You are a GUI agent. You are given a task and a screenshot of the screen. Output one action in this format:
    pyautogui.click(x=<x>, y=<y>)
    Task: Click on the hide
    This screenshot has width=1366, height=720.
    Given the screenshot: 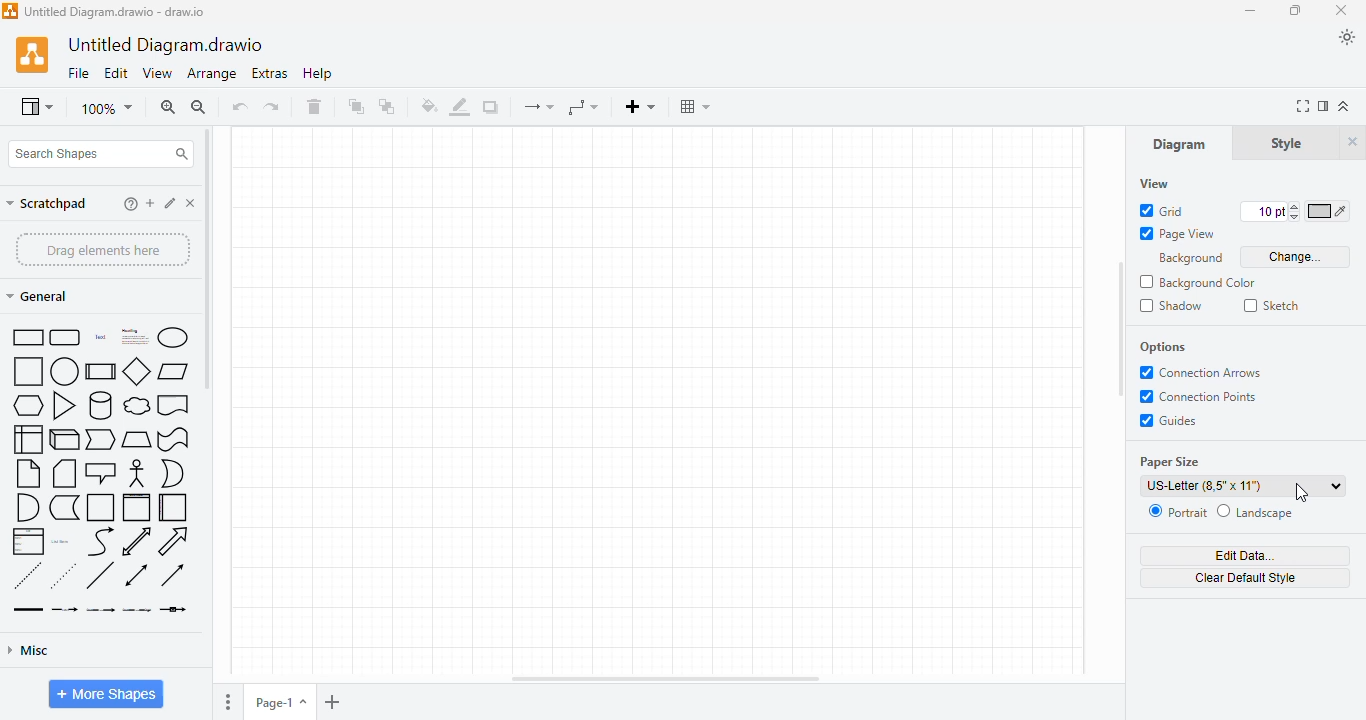 What is the action you would take?
    pyautogui.click(x=1353, y=142)
    